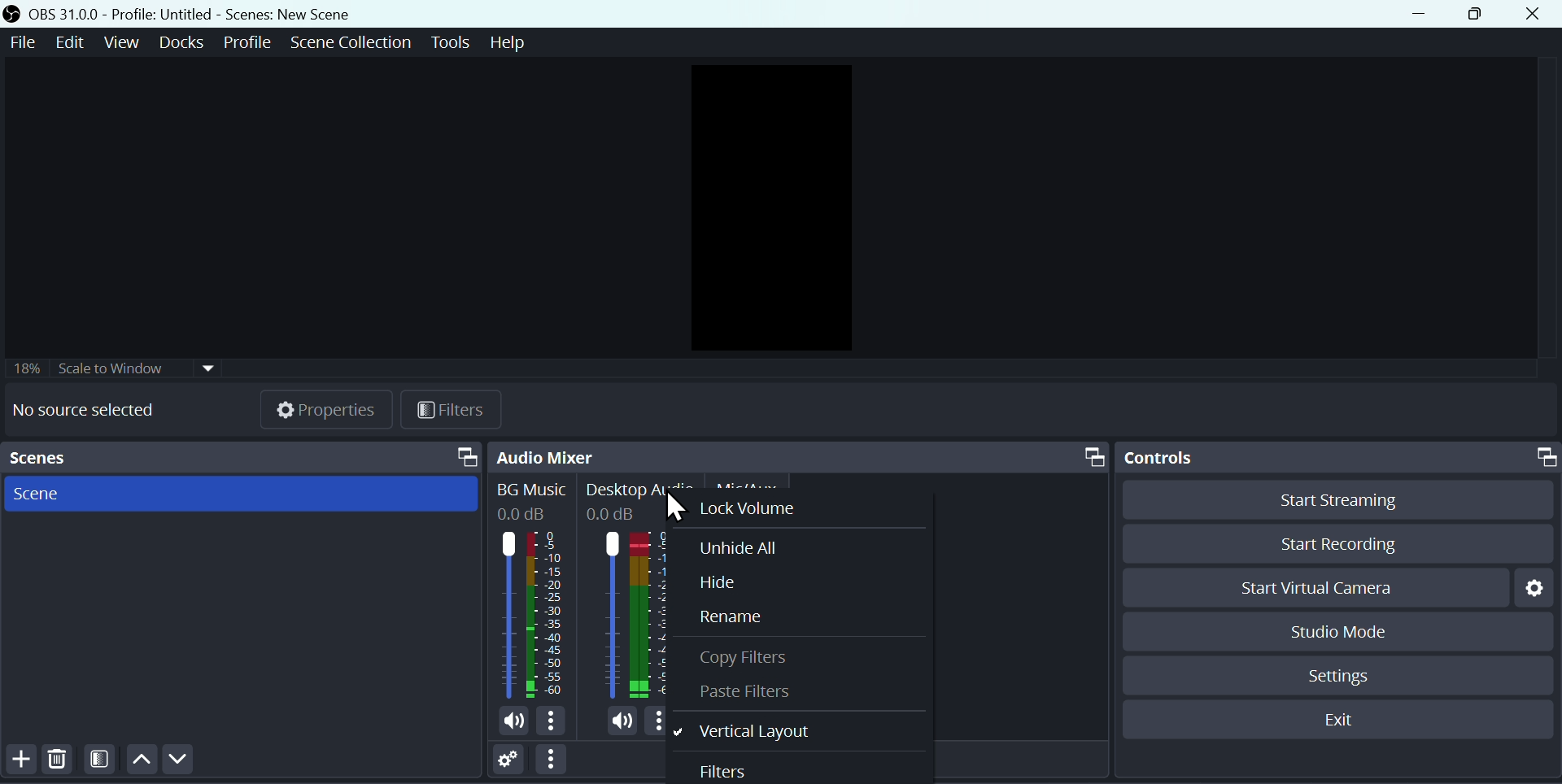 This screenshot has width=1562, height=784. What do you see at coordinates (233, 496) in the screenshot?
I see `Scenes` at bounding box center [233, 496].